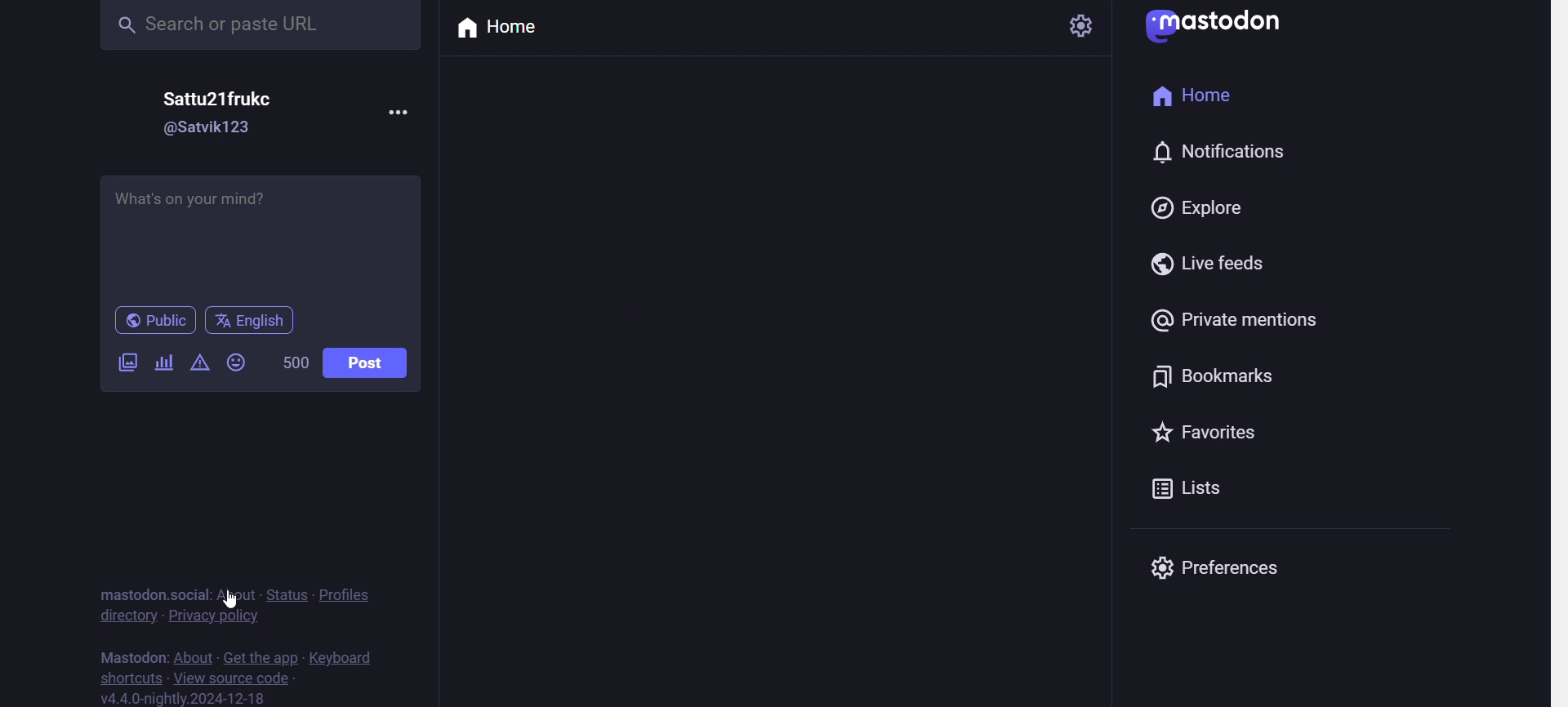 Image resolution: width=1568 pixels, height=707 pixels. I want to click on post here, so click(259, 233).